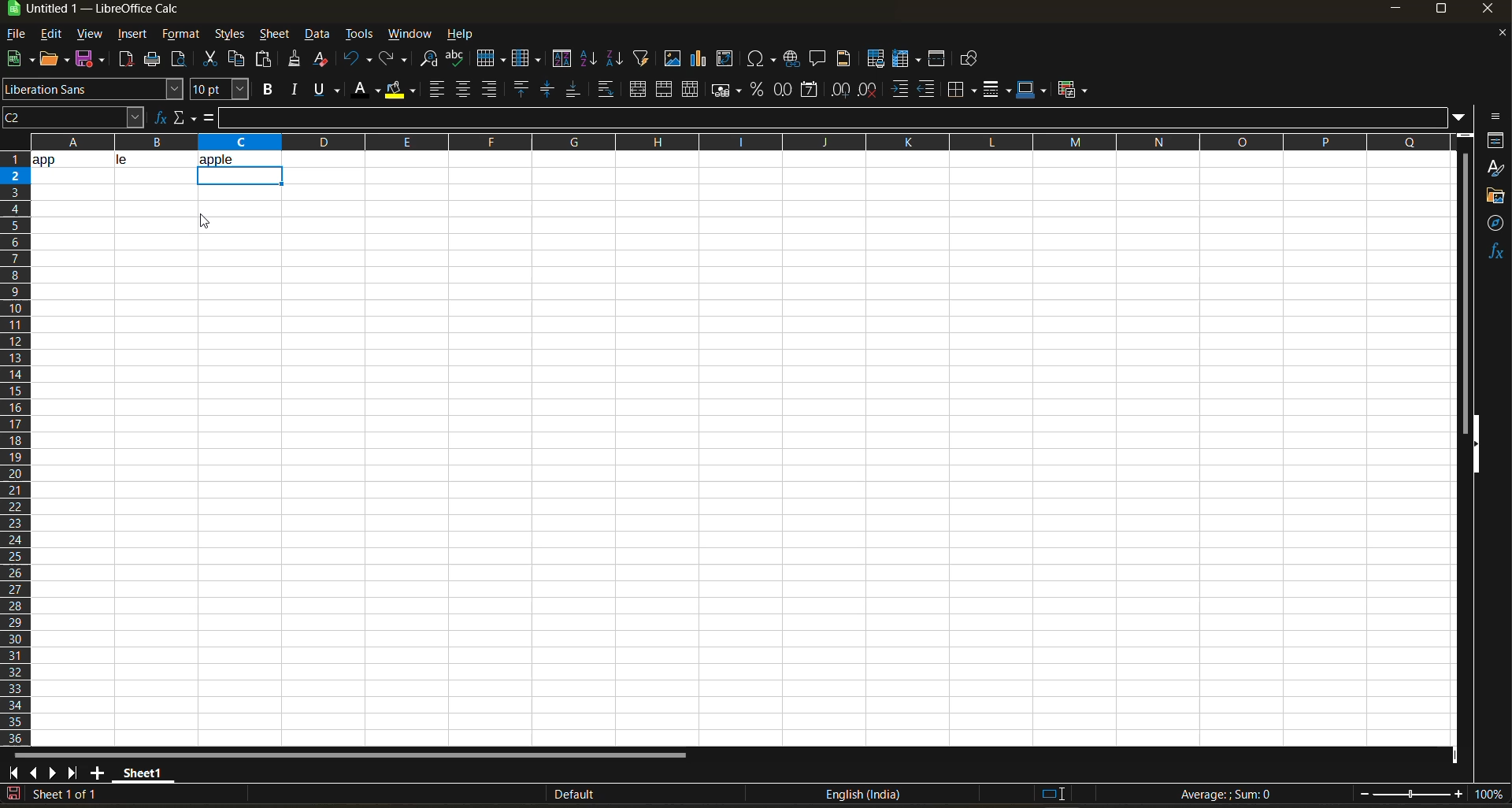 Image resolution: width=1512 pixels, height=808 pixels. What do you see at coordinates (155, 117) in the screenshot?
I see `function wizard` at bounding box center [155, 117].